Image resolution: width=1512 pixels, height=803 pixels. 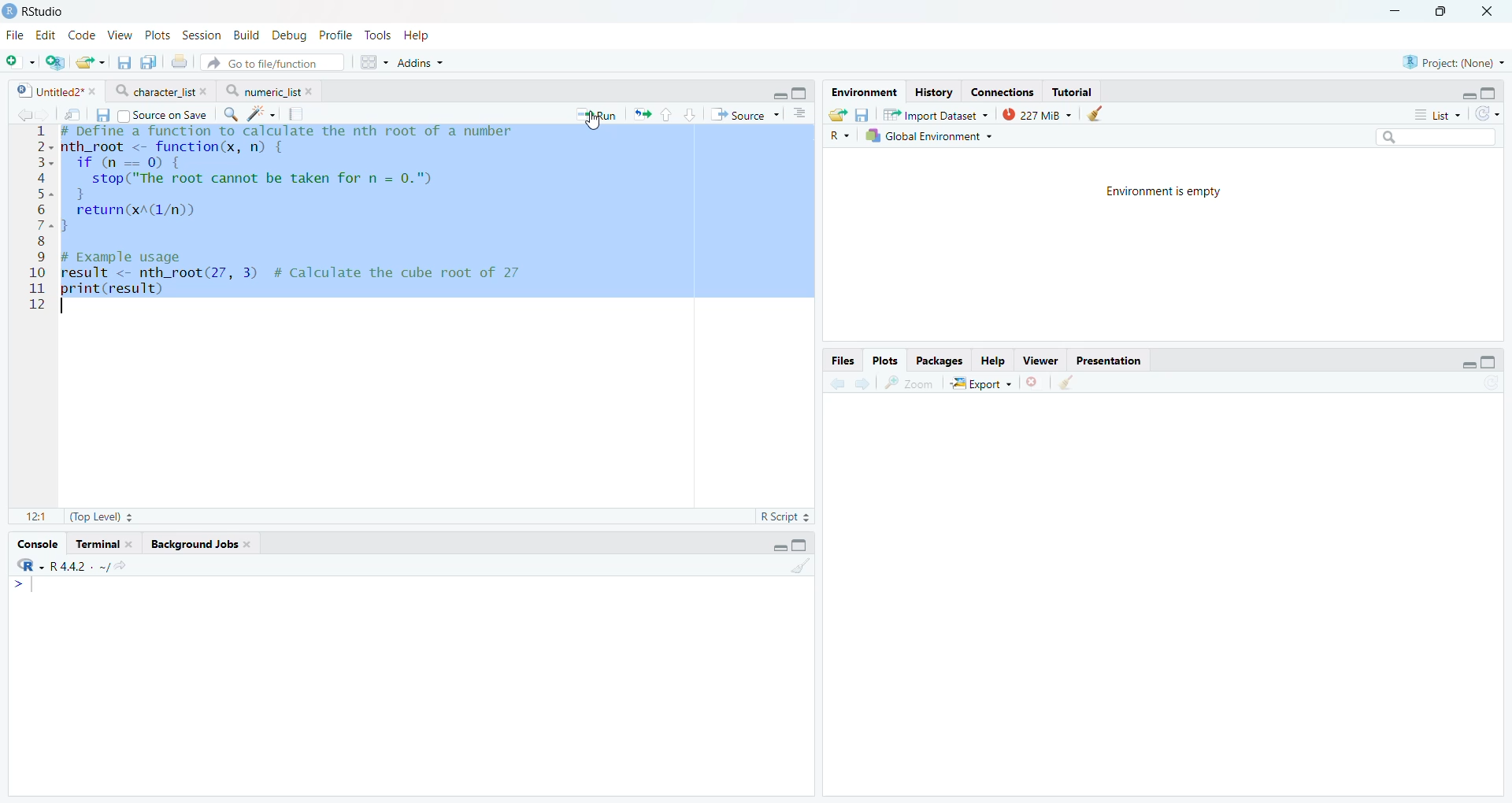 What do you see at coordinates (178, 62) in the screenshot?
I see `Print` at bounding box center [178, 62].